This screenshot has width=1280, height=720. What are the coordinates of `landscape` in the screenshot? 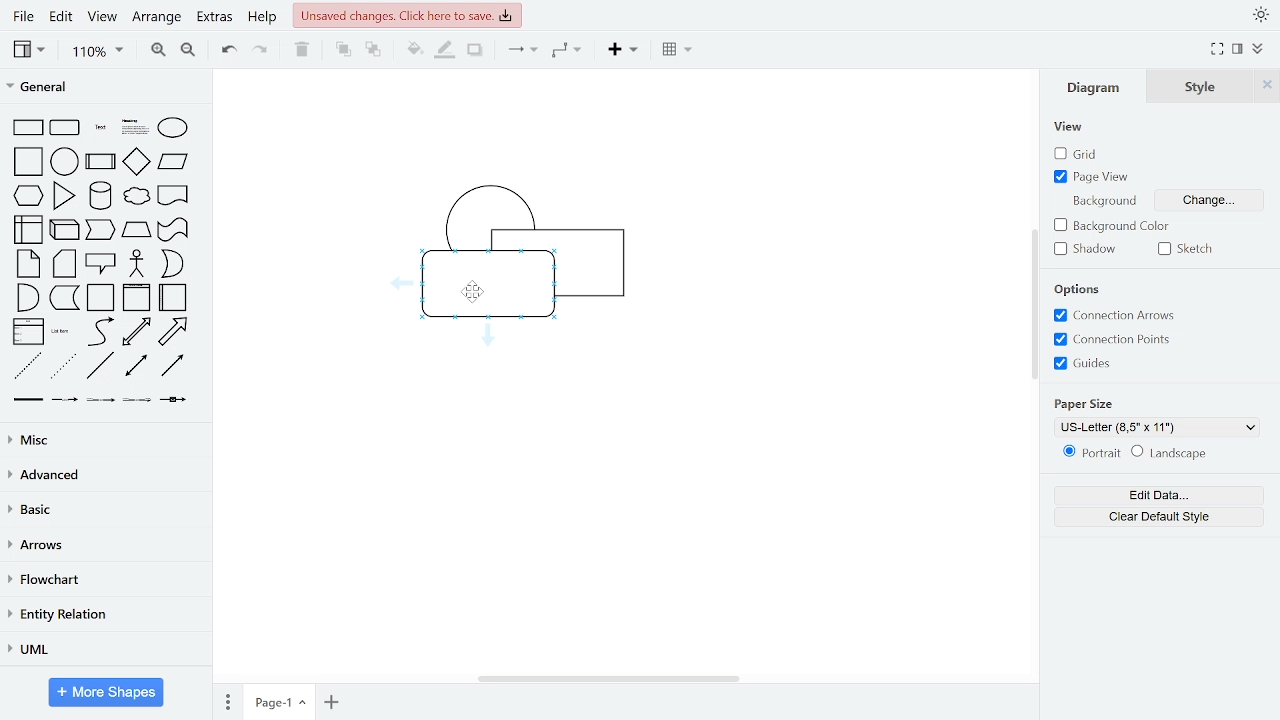 It's located at (1176, 454).